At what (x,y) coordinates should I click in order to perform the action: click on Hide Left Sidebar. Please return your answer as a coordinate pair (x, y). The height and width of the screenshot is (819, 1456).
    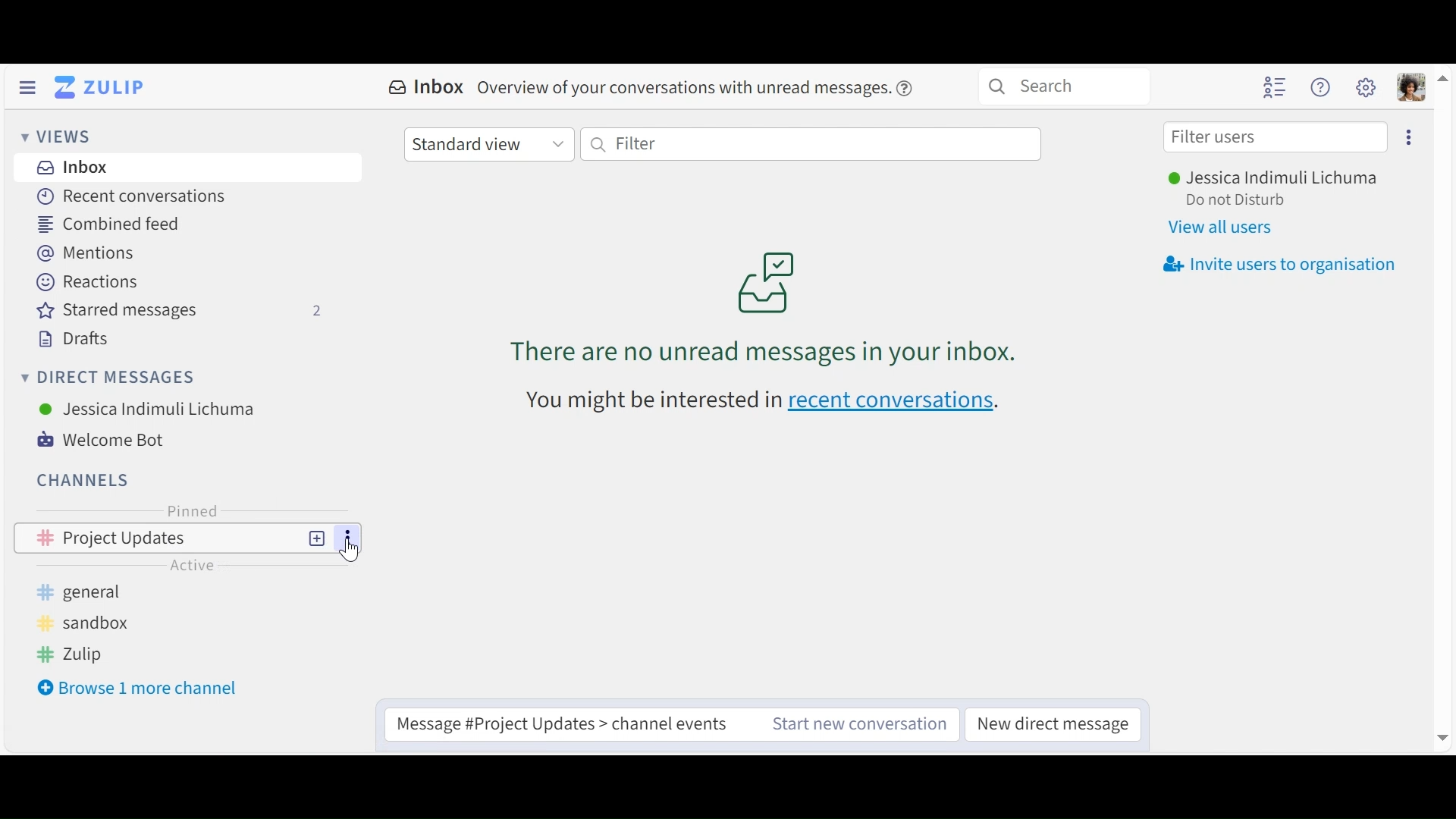
    Looking at the image, I should click on (27, 88).